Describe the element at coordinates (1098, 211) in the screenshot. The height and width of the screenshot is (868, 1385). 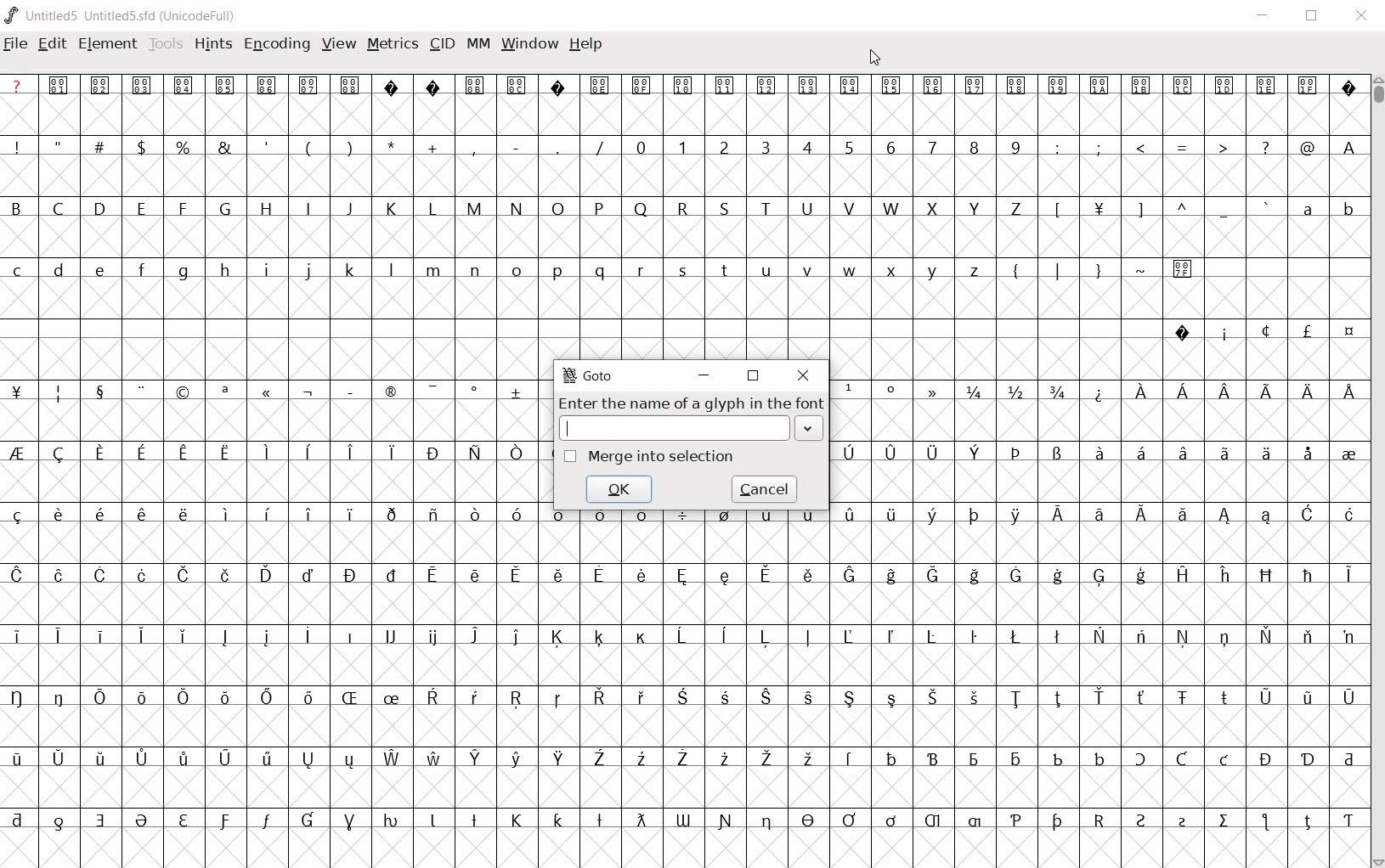
I see `Symbol` at that location.